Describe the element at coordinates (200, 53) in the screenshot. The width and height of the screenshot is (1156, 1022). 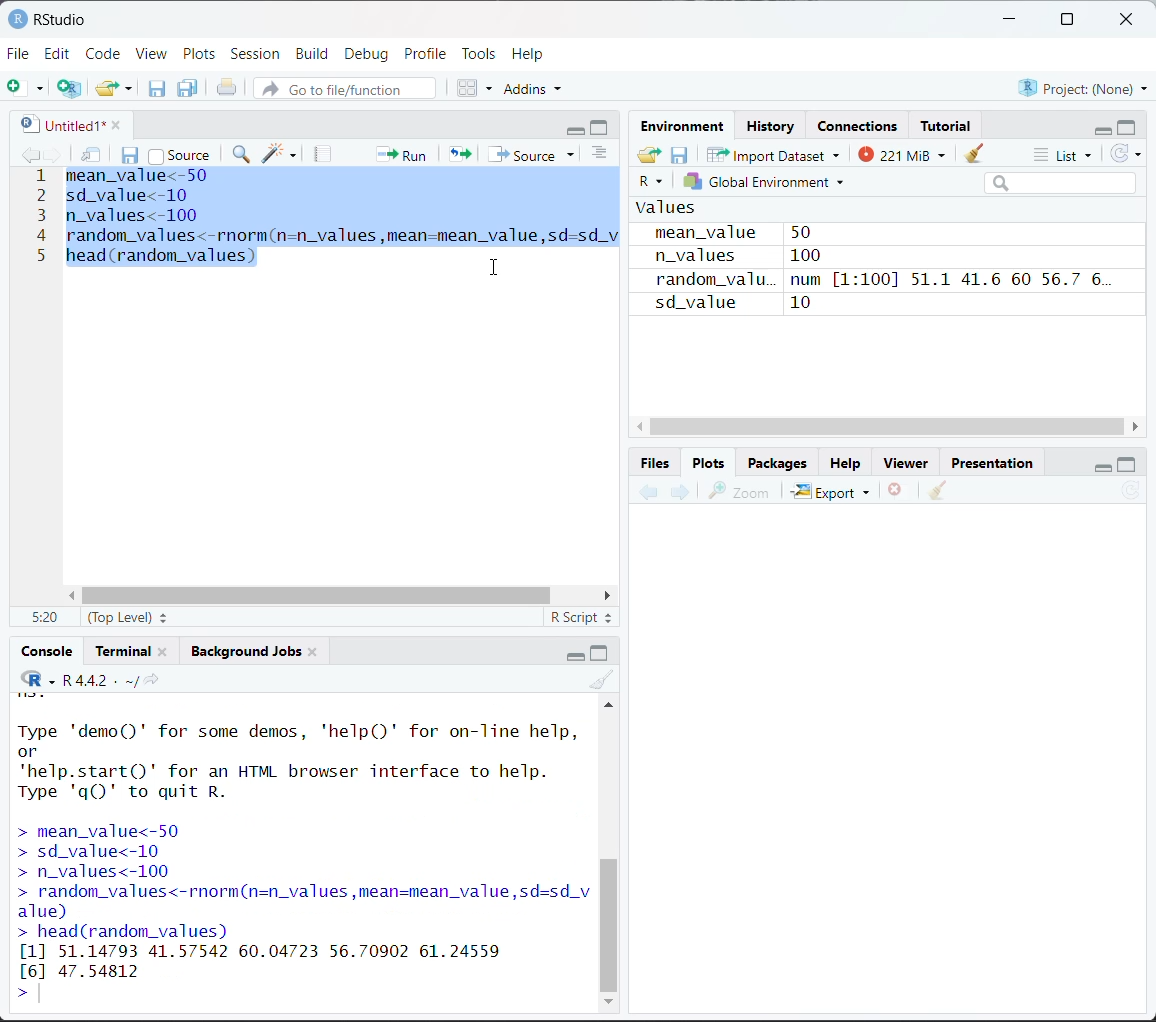
I see `Plots` at that location.